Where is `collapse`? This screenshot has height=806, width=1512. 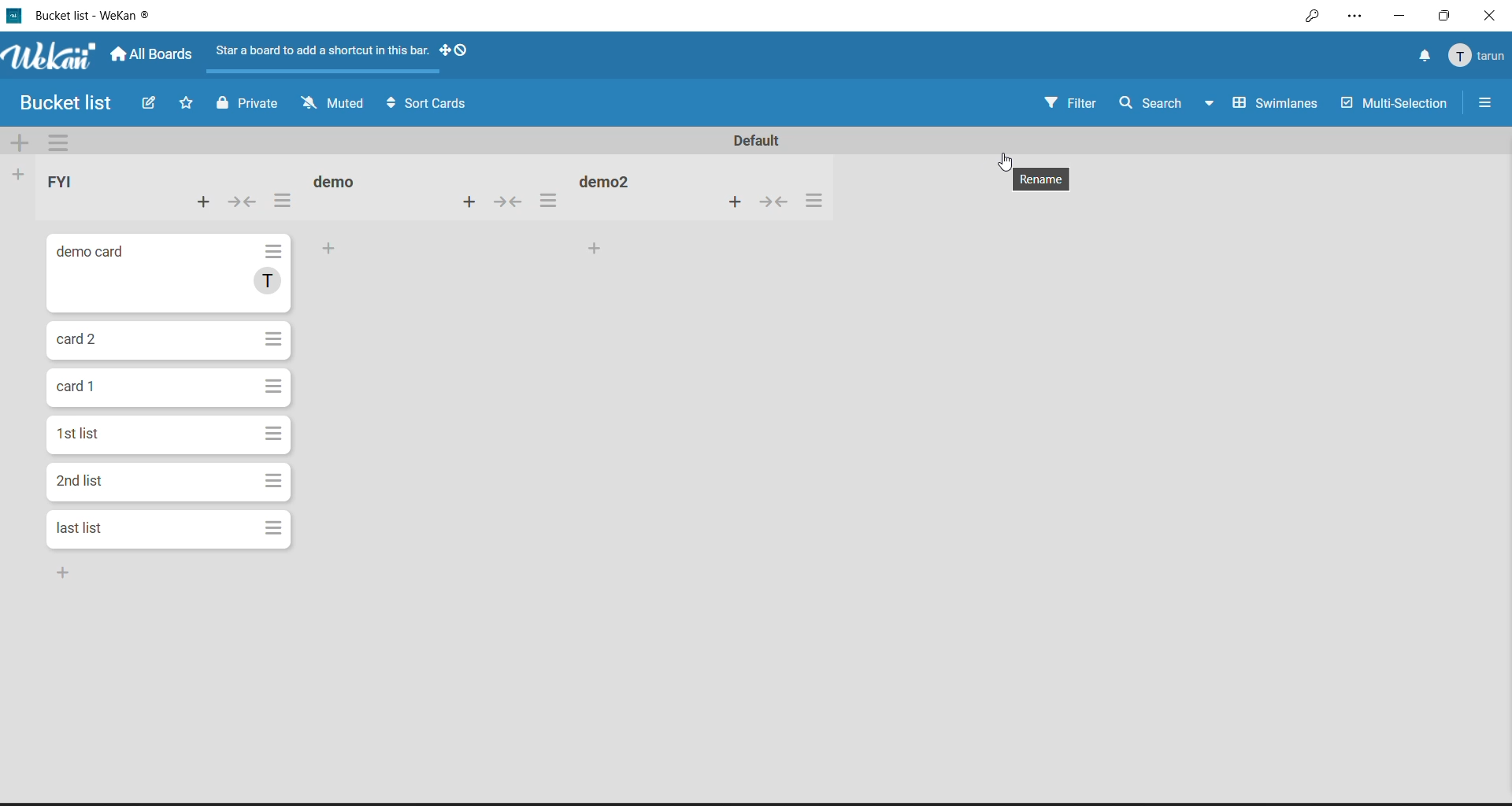 collapse is located at coordinates (246, 201).